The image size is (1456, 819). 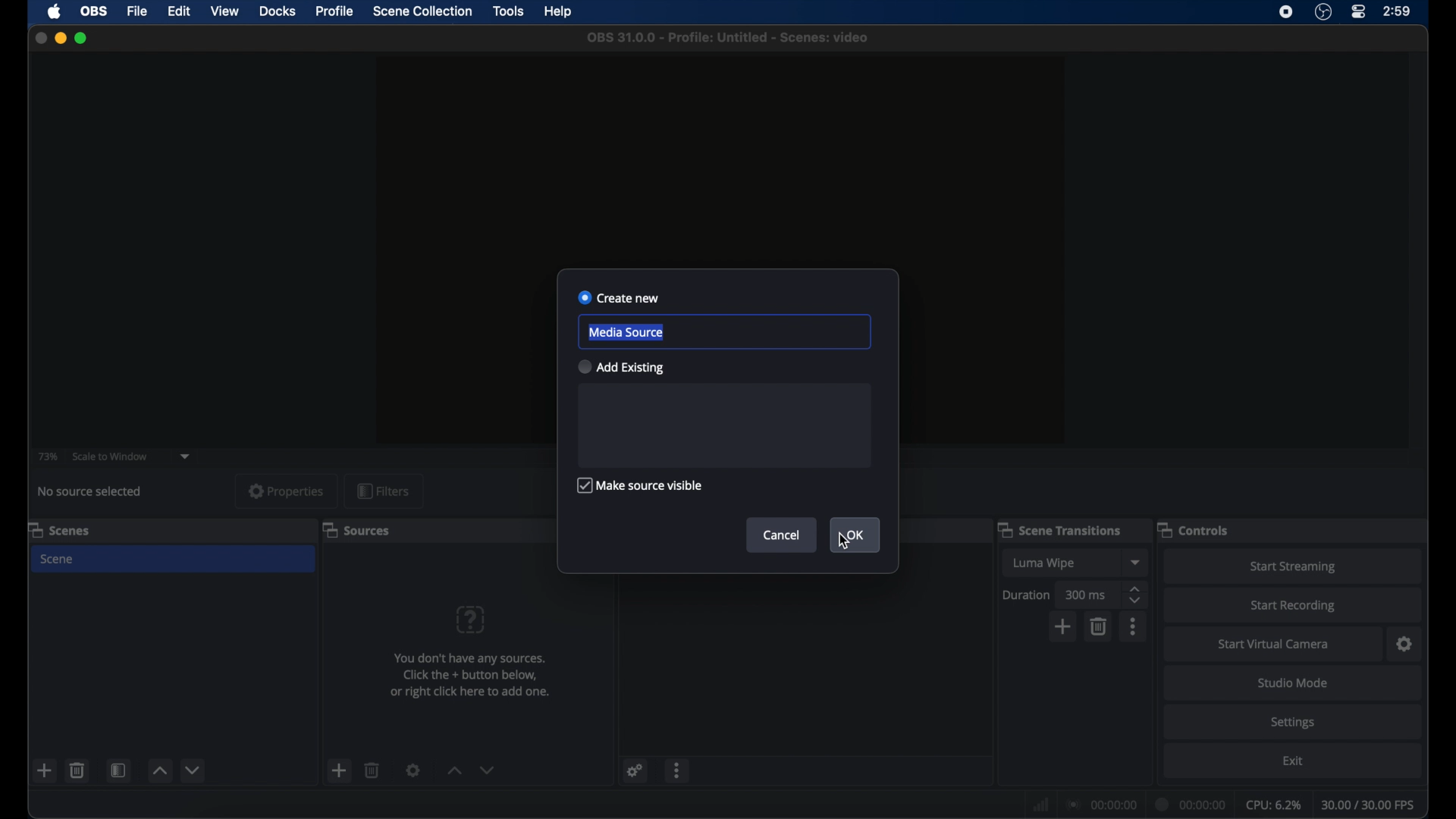 I want to click on dropdown, so click(x=1137, y=562).